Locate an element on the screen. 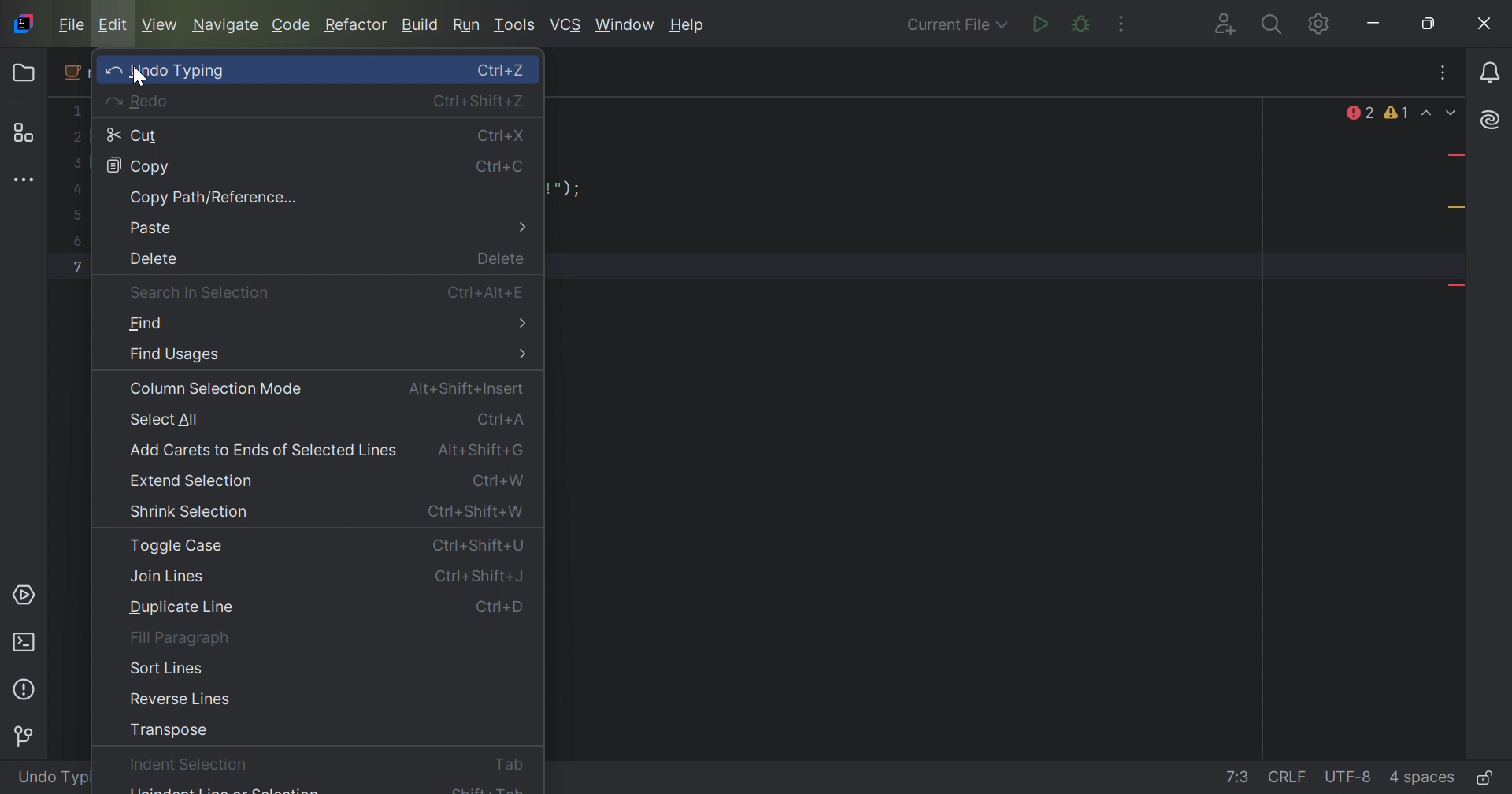 This screenshot has width=1512, height=794. Copy Path/Reference... is located at coordinates (217, 199).